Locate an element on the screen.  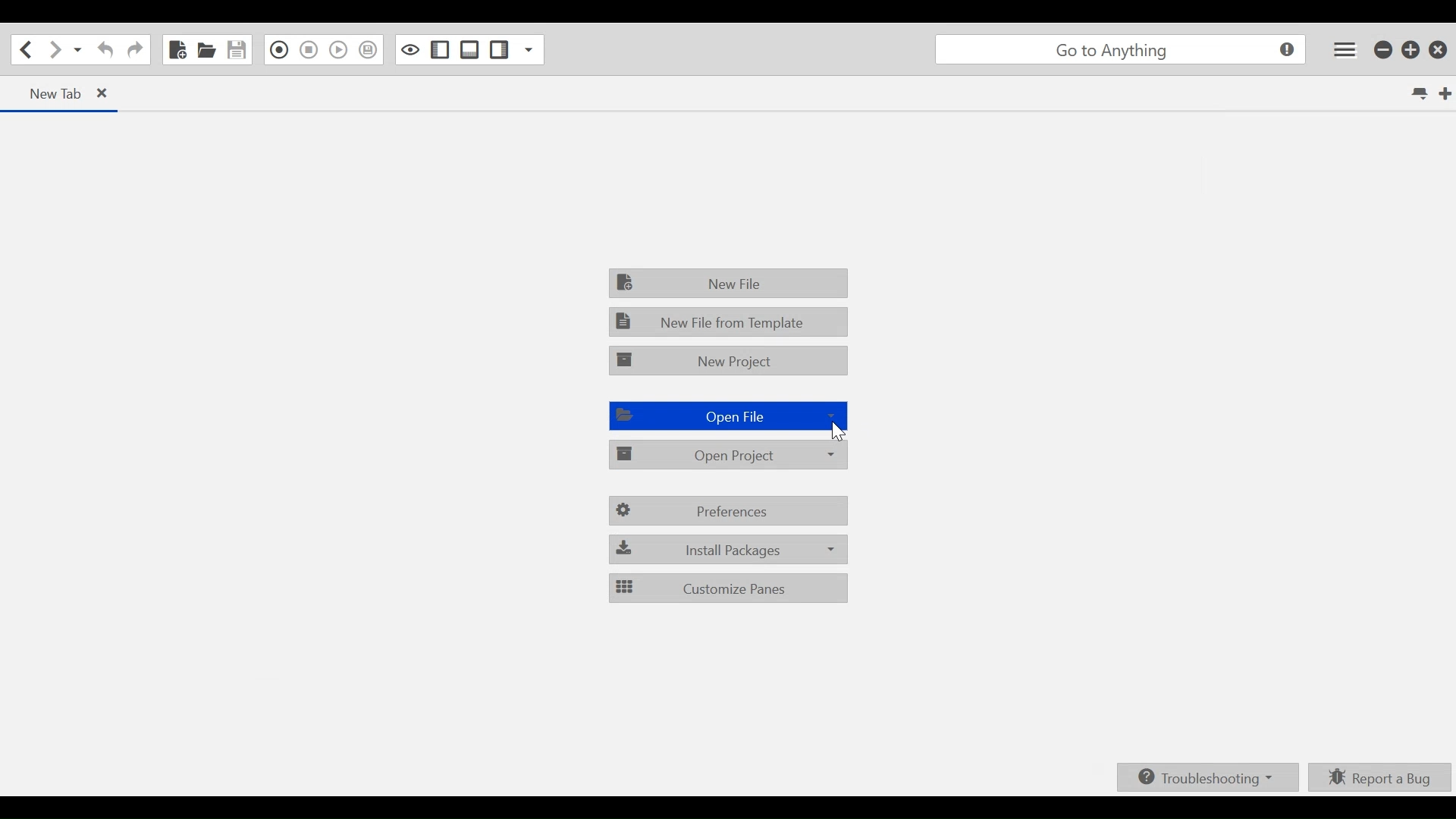
Undo is located at coordinates (103, 50).